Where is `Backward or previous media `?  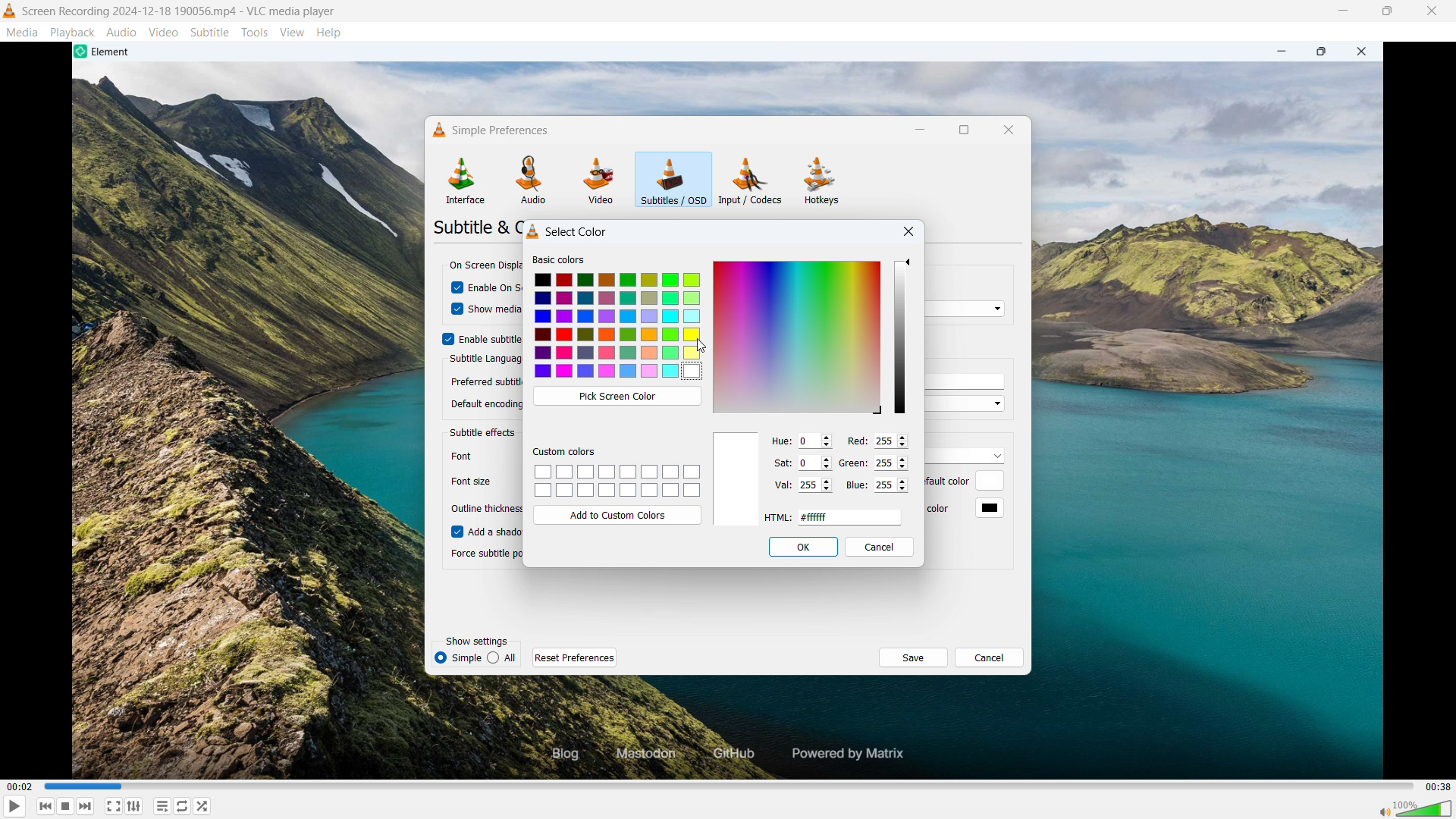 Backward or previous media  is located at coordinates (86, 806).